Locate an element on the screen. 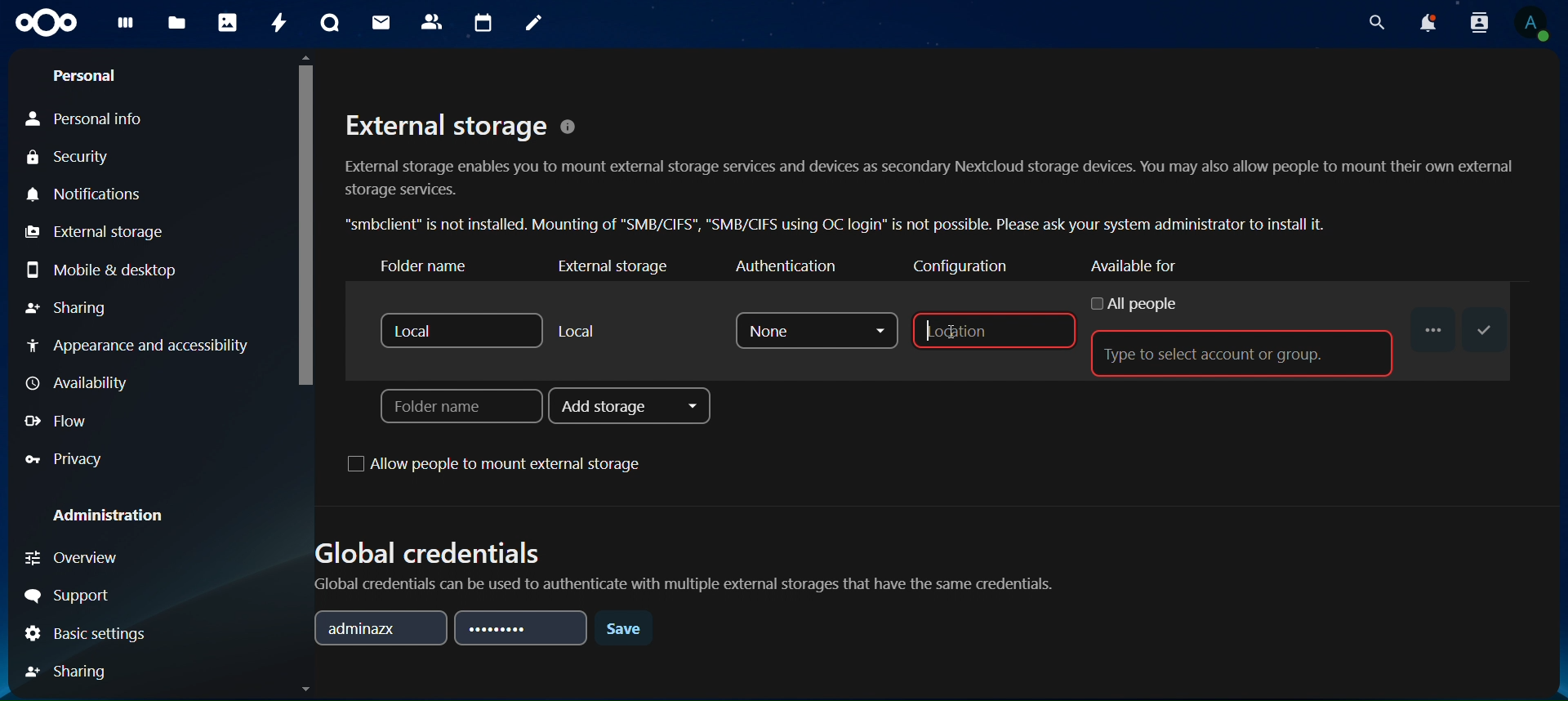 The image size is (1568, 701). search contacts is located at coordinates (1479, 23).